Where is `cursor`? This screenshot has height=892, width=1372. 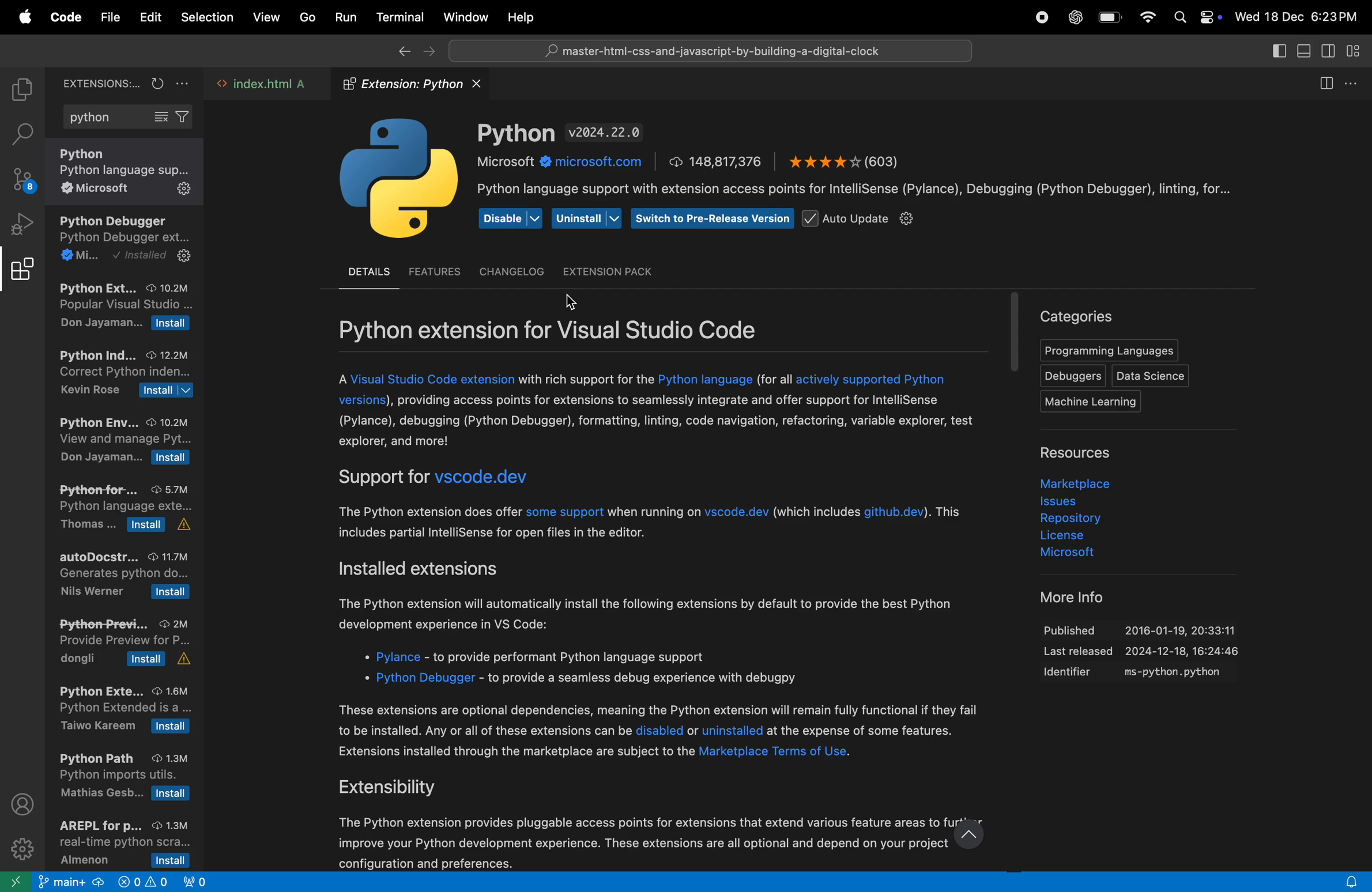
cursor is located at coordinates (573, 303).